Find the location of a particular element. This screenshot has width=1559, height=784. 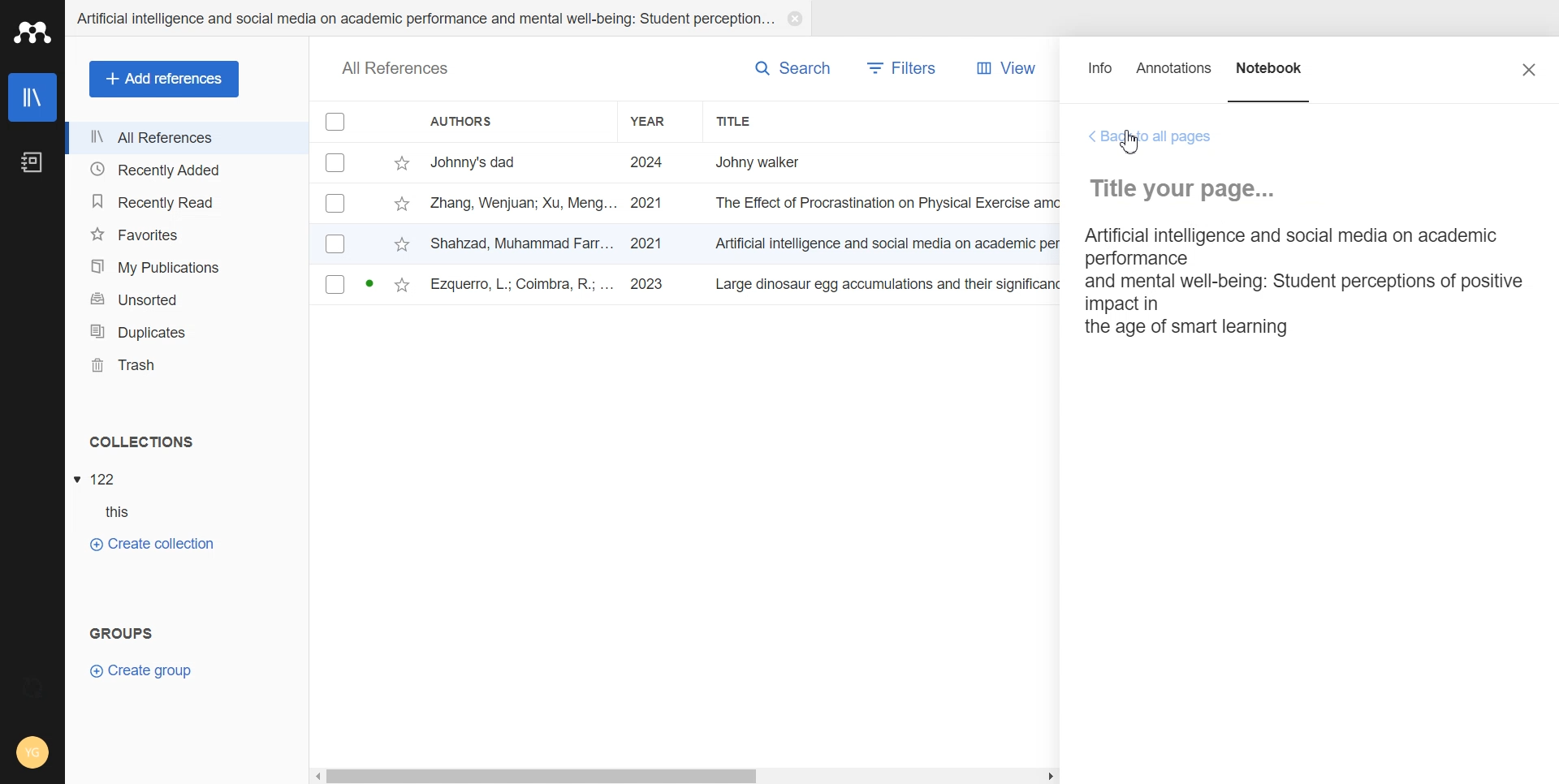

Close is located at coordinates (794, 19).